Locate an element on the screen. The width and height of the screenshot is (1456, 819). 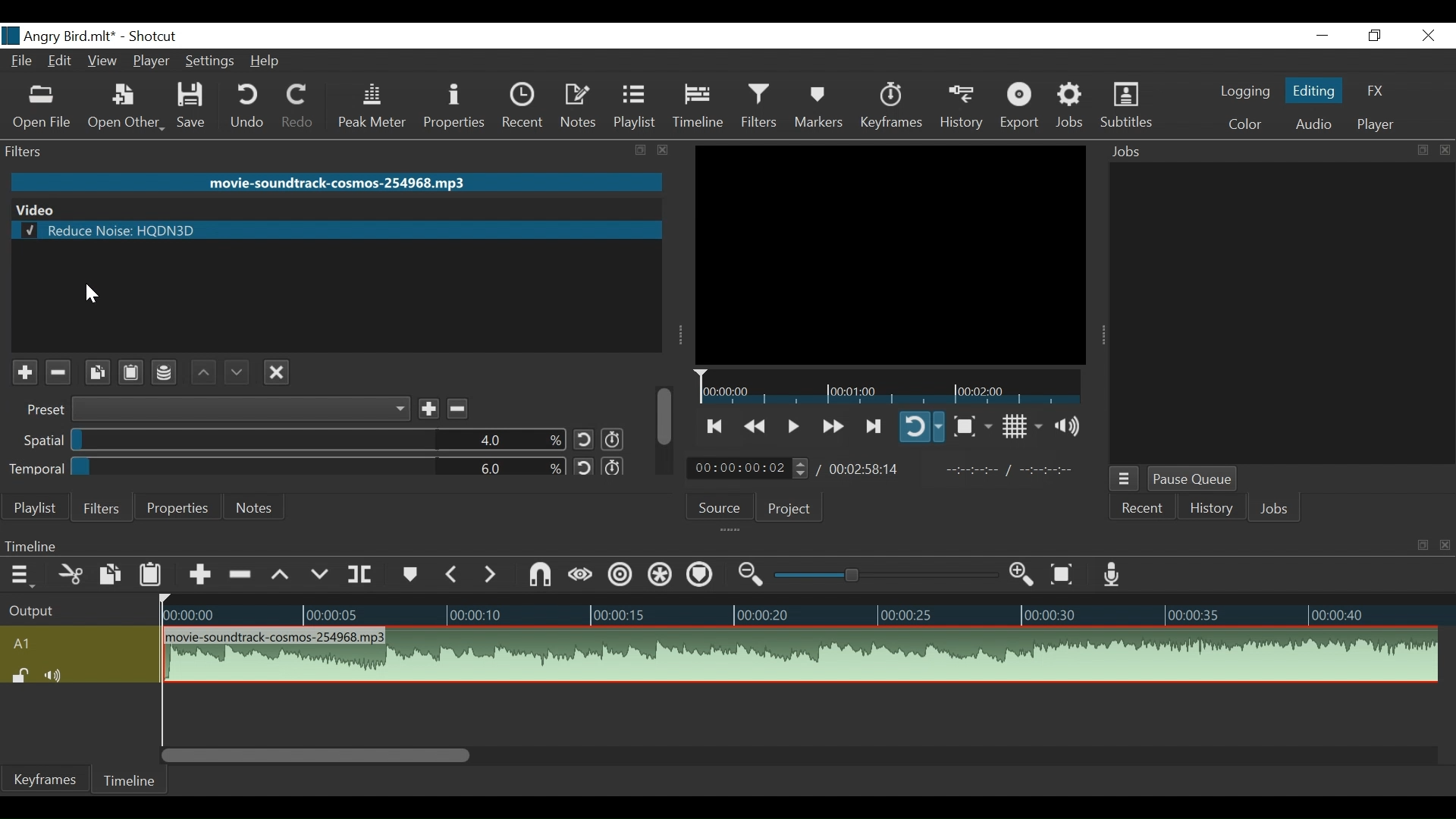
History is located at coordinates (1210, 510).